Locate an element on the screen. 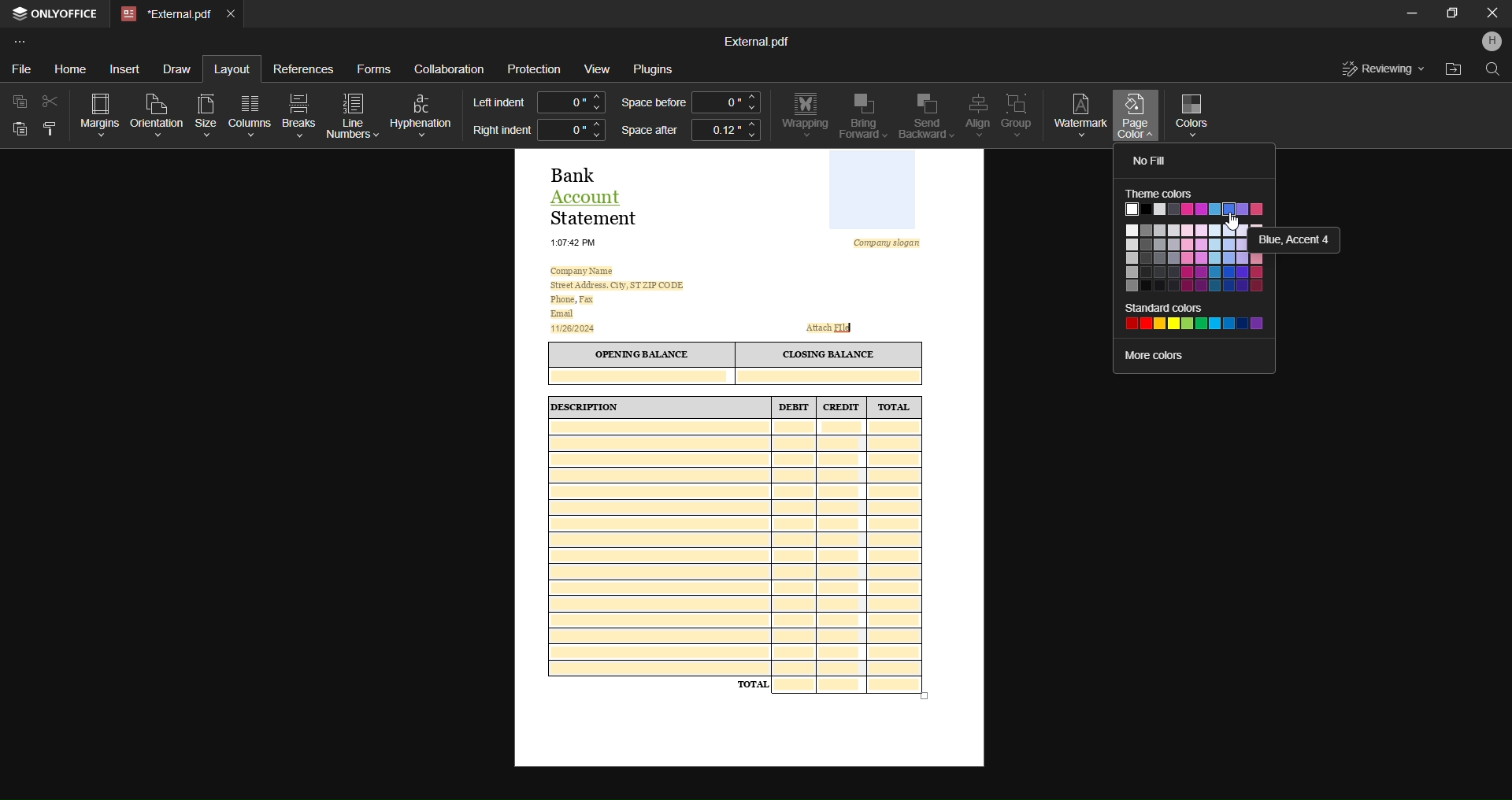 Image resolution: width=1512 pixels, height=800 pixels. View is located at coordinates (596, 68).